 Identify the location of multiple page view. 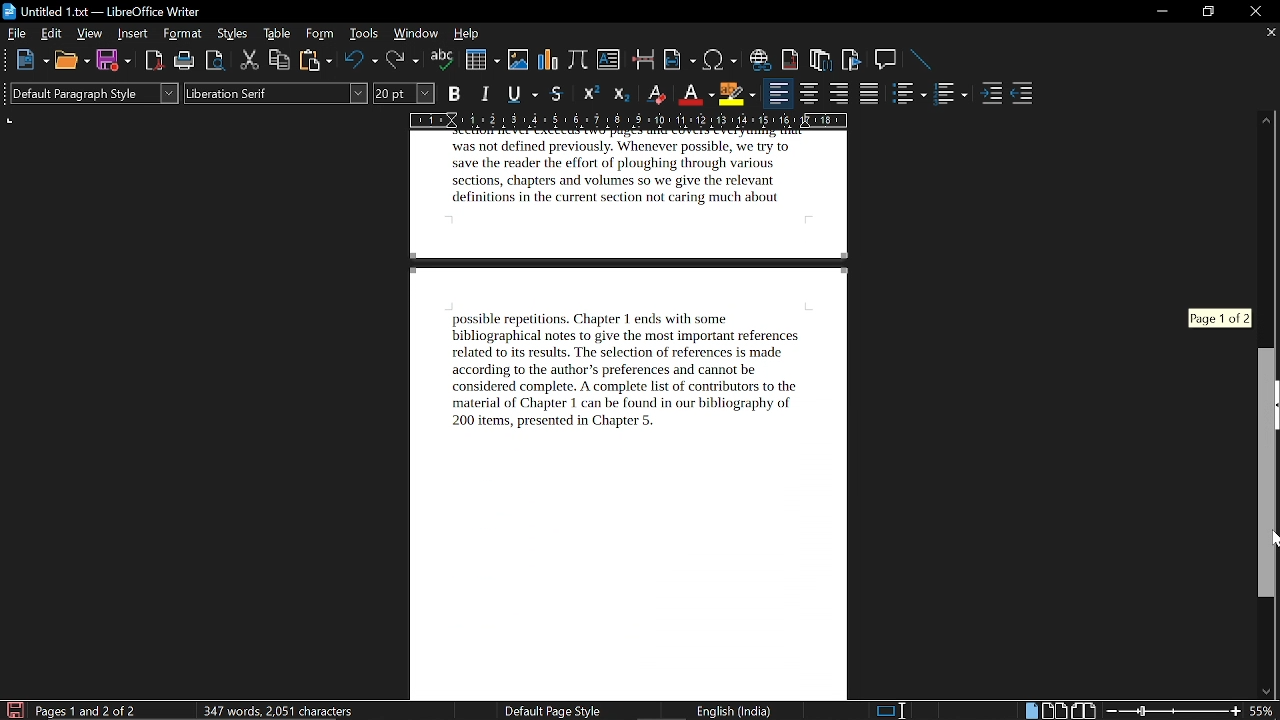
(1054, 710).